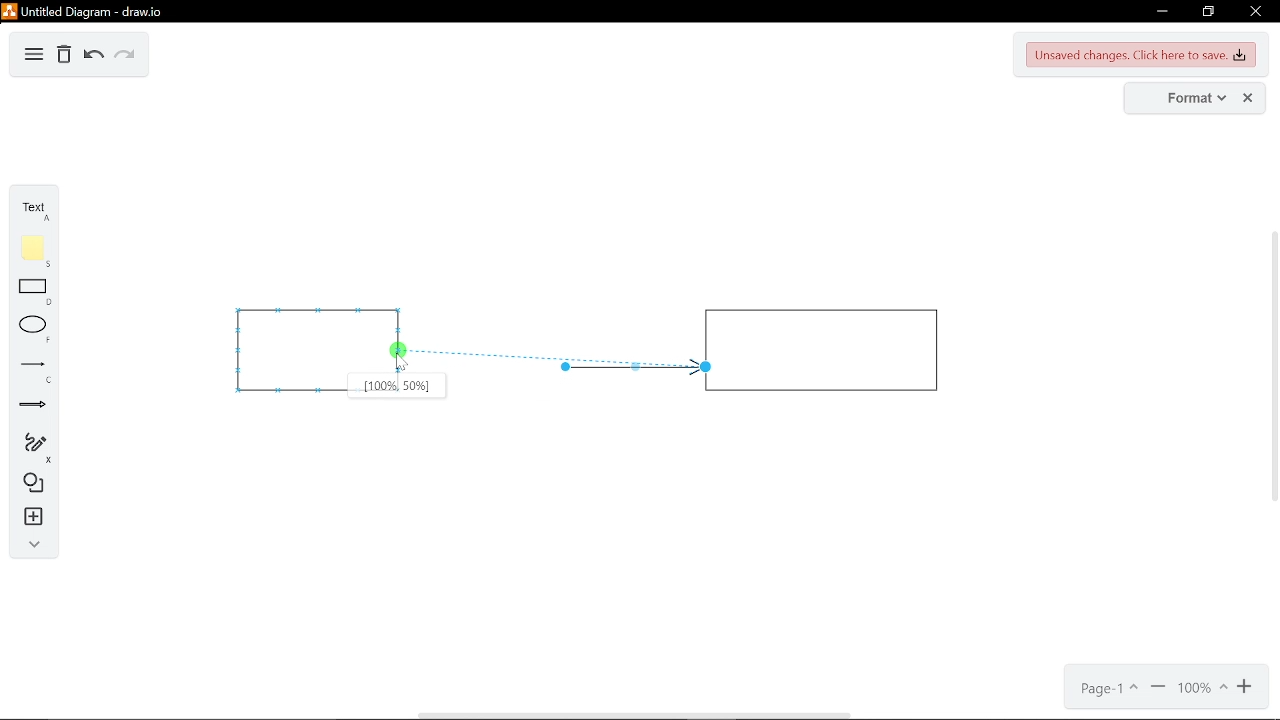 The image size is (1280, 720). I want to click on shapes, so click(30, 482).